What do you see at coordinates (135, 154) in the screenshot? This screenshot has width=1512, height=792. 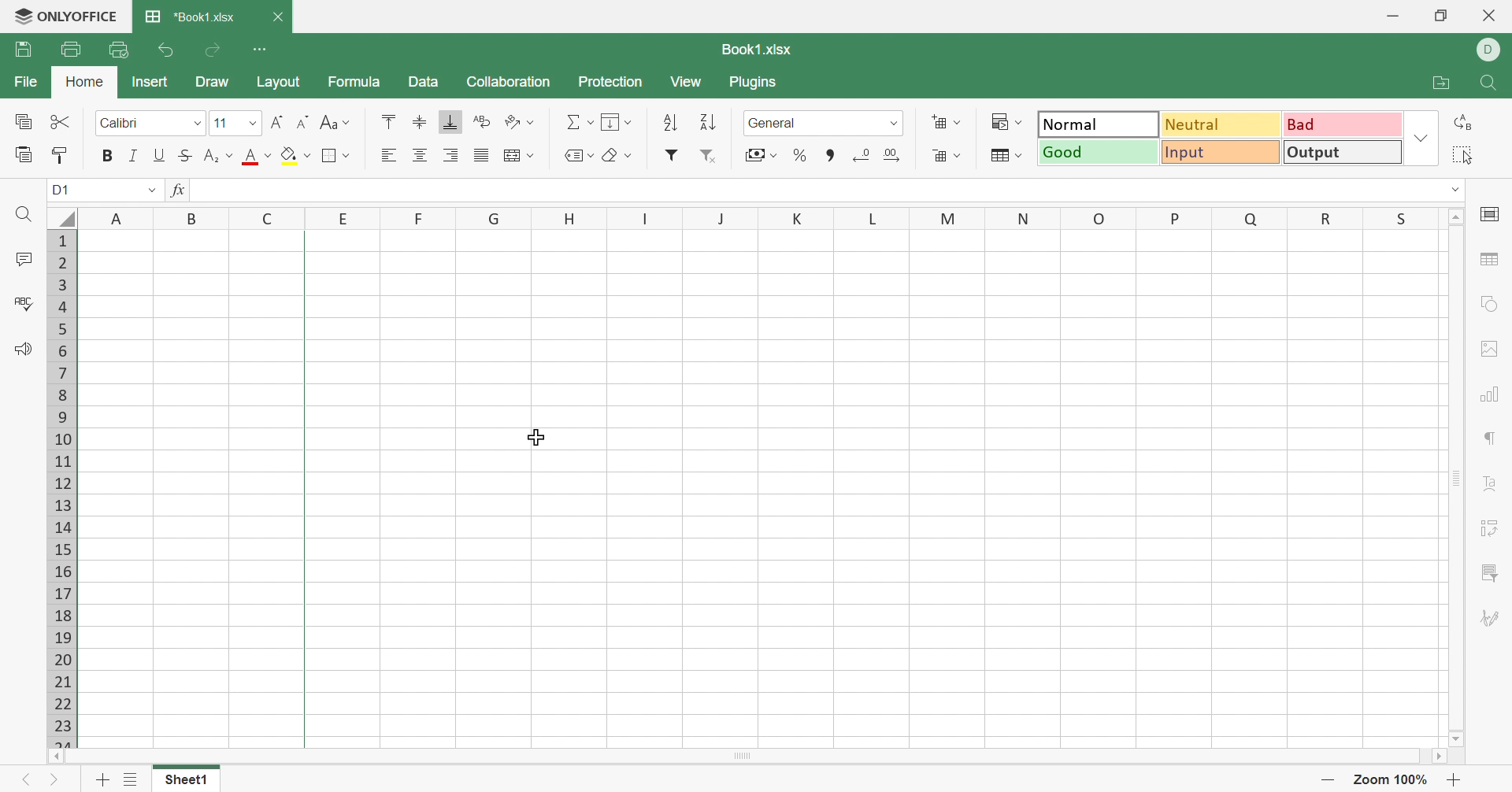 I see `Italic` at bounding box center [135, 154].